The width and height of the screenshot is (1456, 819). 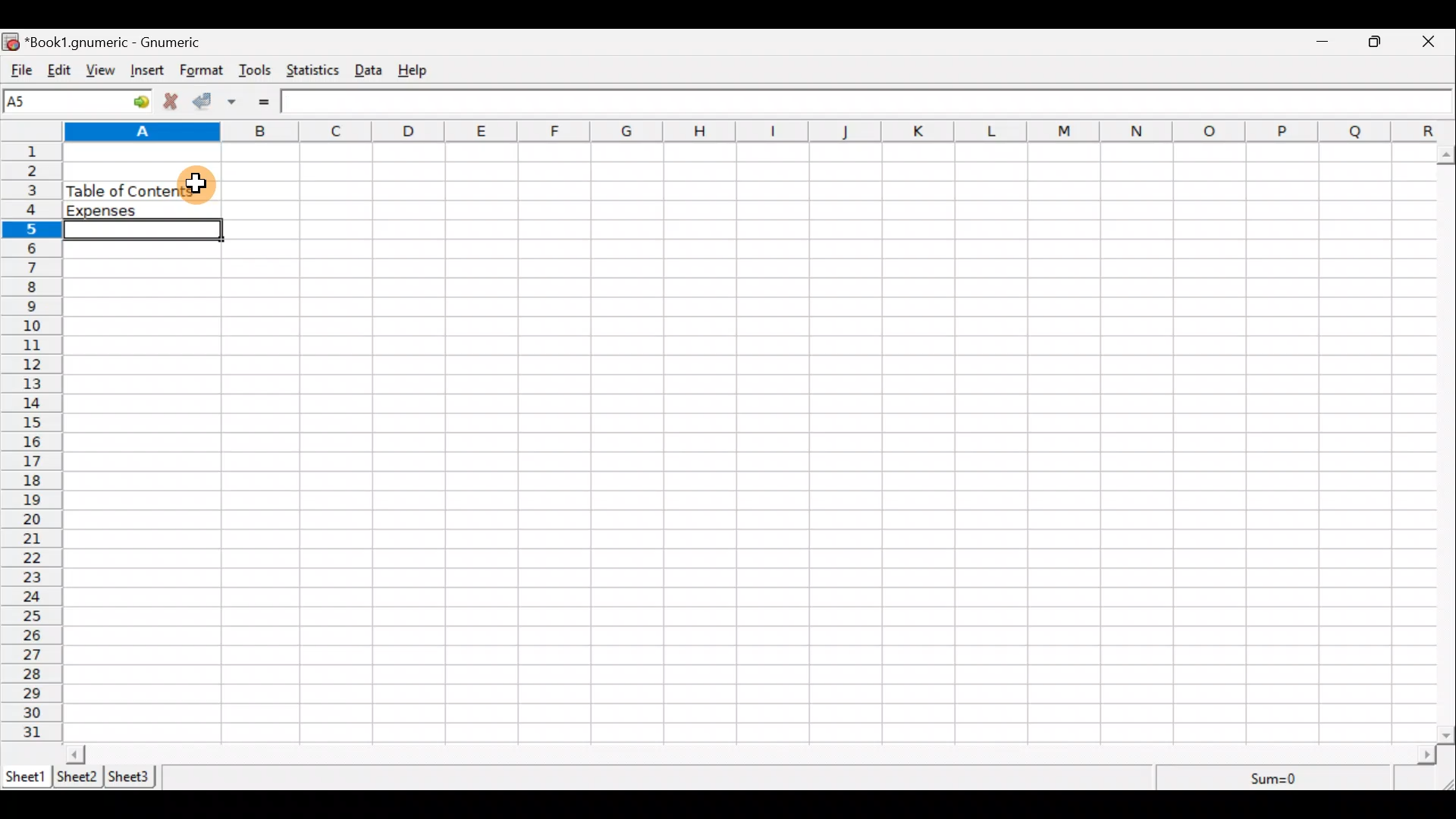 What do you see at coordinates (1276, 780) in the screenshot?
I see `Sum=0` at bounding box center [1276, 780].